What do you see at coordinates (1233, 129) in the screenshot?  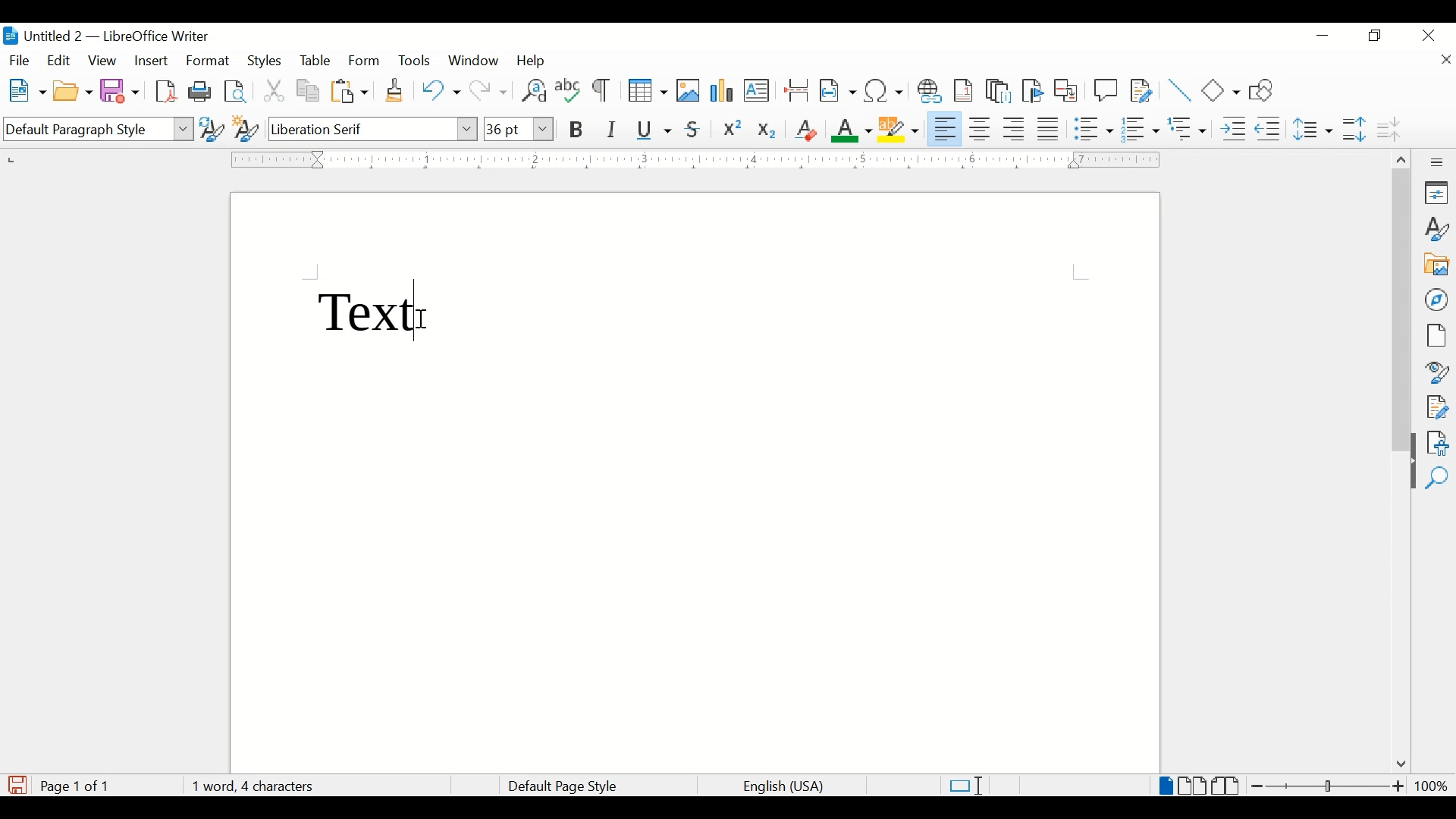 I see `increase indent` at bounding box center [1233, 129].